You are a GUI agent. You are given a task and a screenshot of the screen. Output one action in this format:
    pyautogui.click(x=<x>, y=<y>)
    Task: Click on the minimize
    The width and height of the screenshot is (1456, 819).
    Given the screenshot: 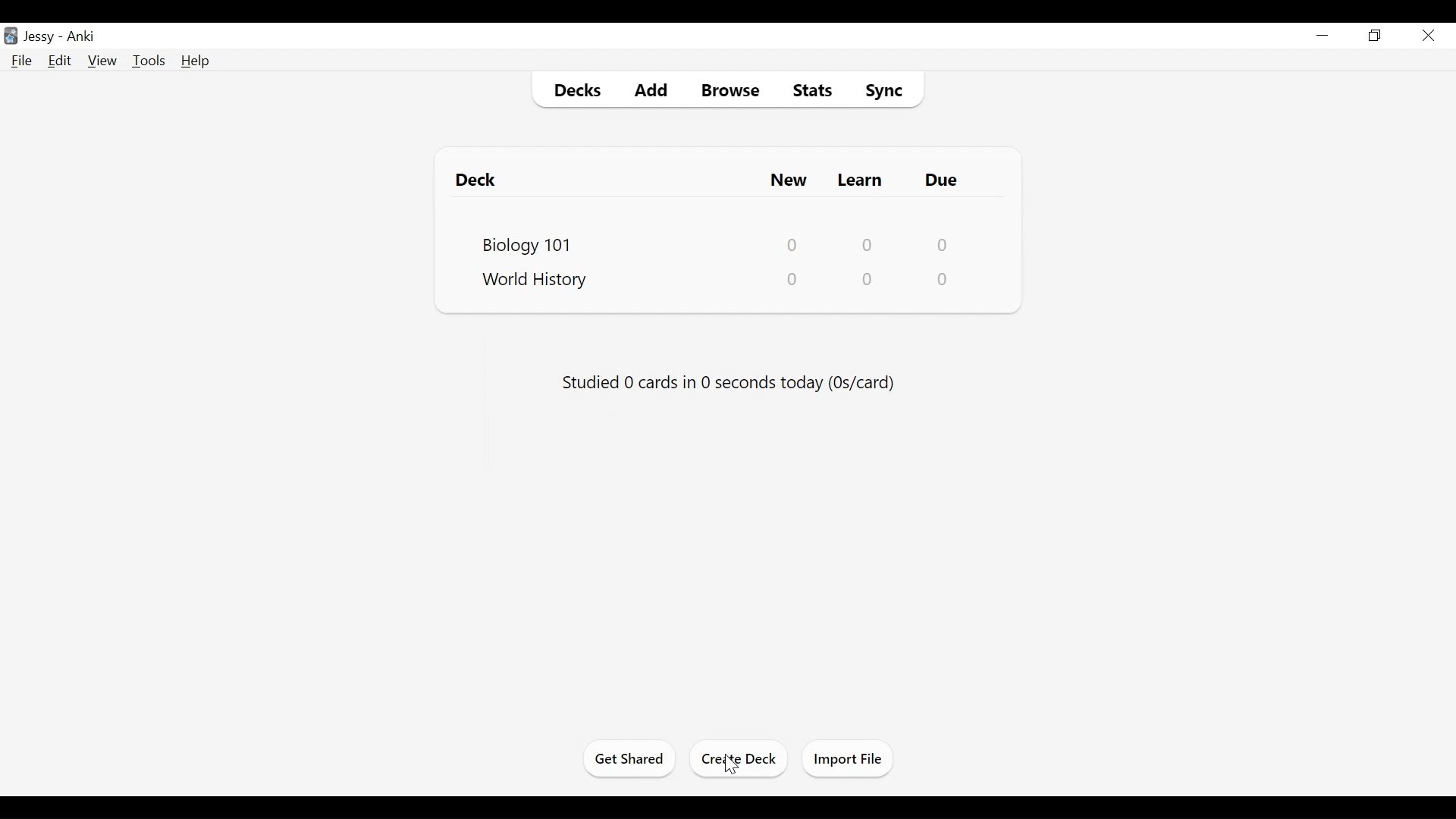 What is the action you would take?
    pyautogui.click(x=1323, y=34)
    